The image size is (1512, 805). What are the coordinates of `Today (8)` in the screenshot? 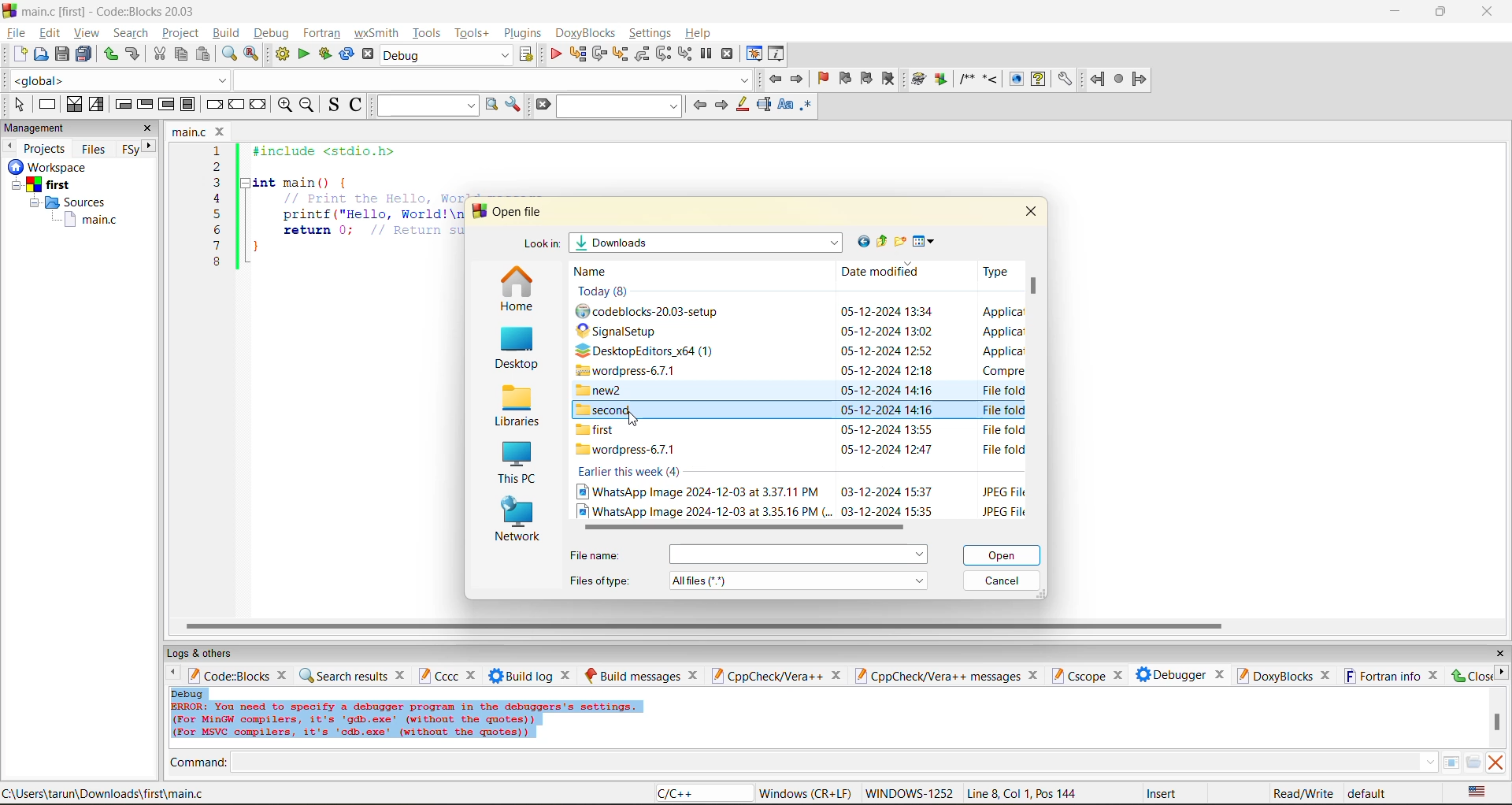 It's located at (608, 291).